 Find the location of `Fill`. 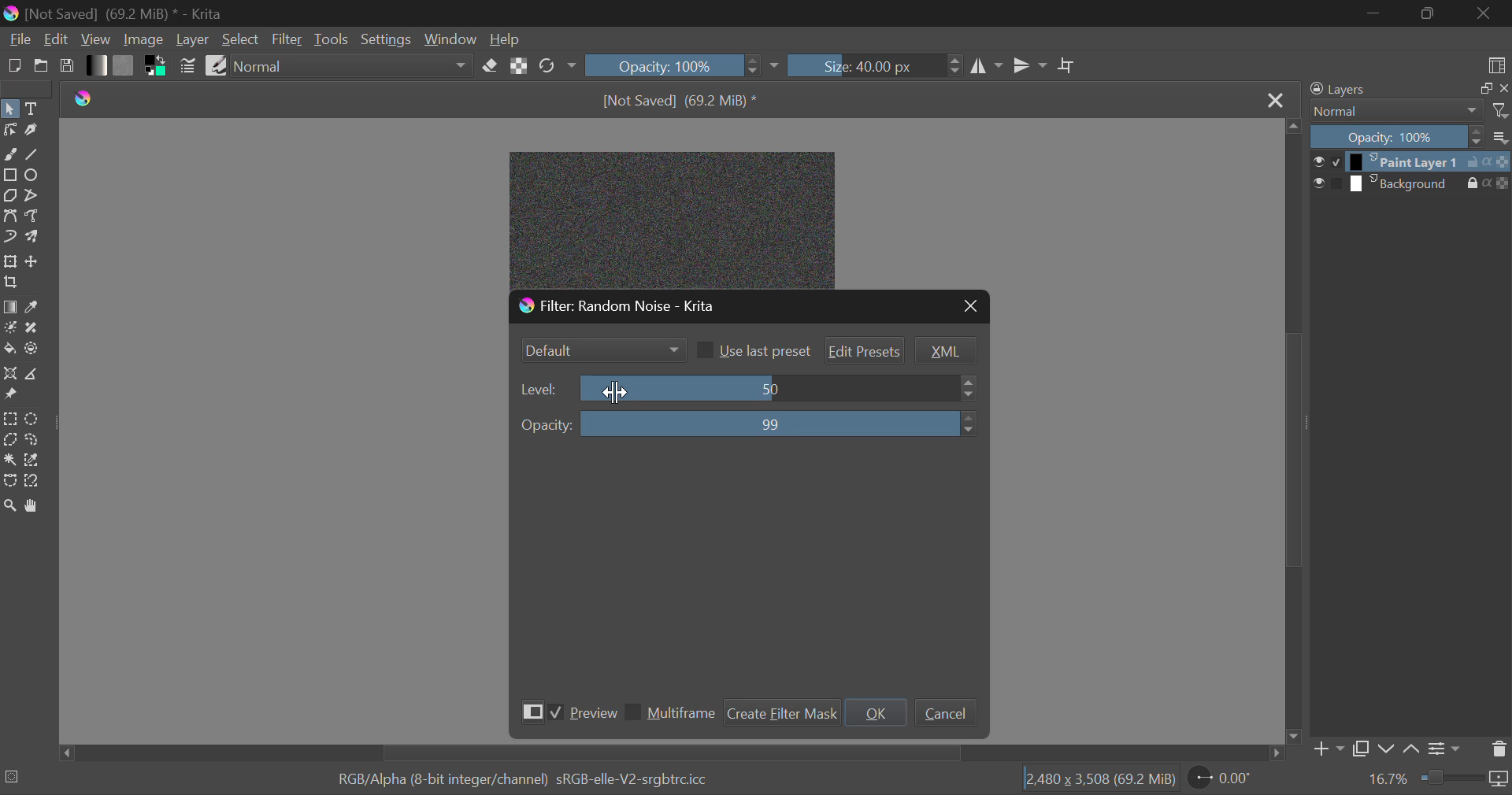

Fill is located at coordinates (9, 348).